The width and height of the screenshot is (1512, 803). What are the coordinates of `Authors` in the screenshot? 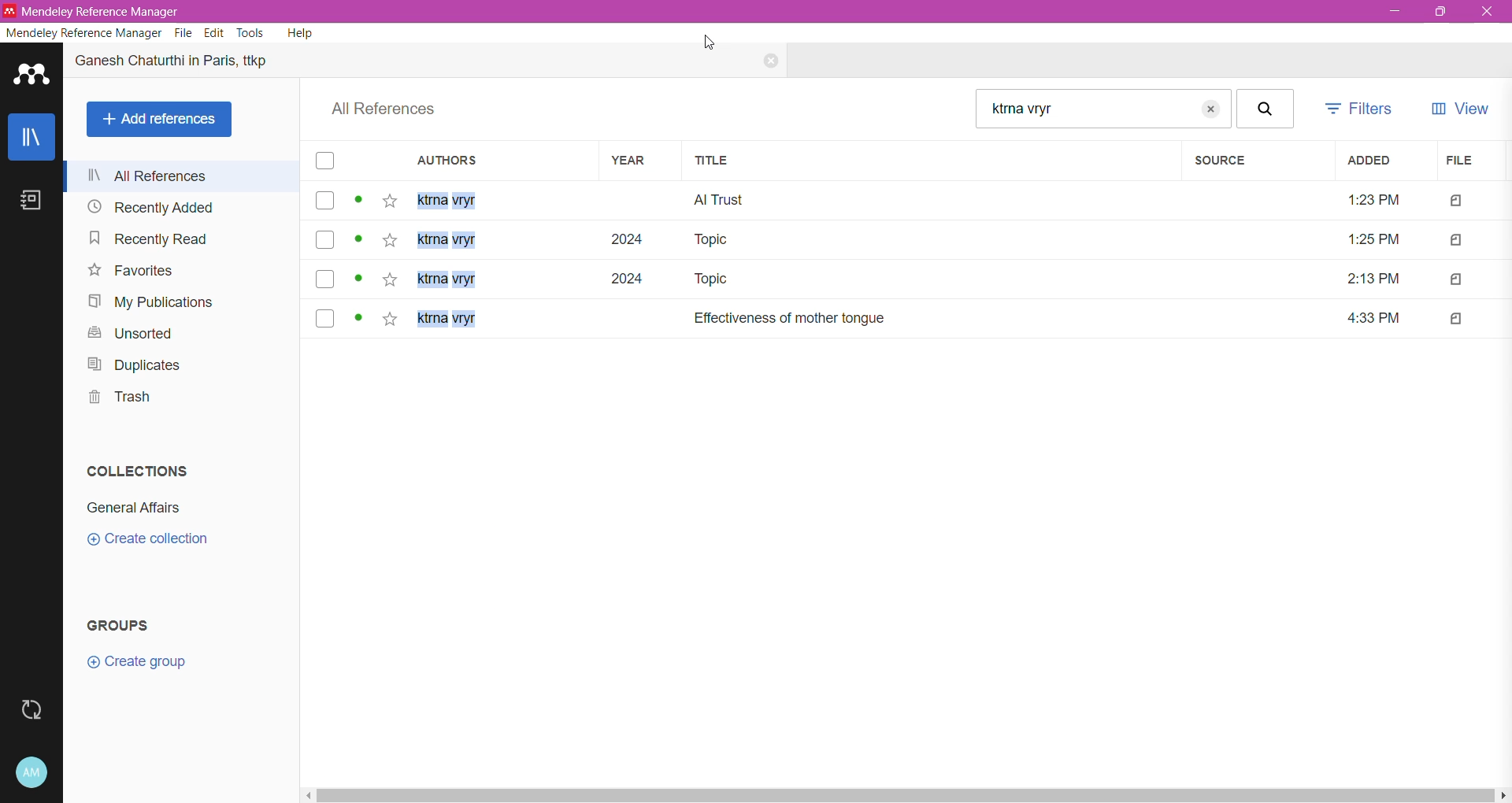 It's located at (506, 161).